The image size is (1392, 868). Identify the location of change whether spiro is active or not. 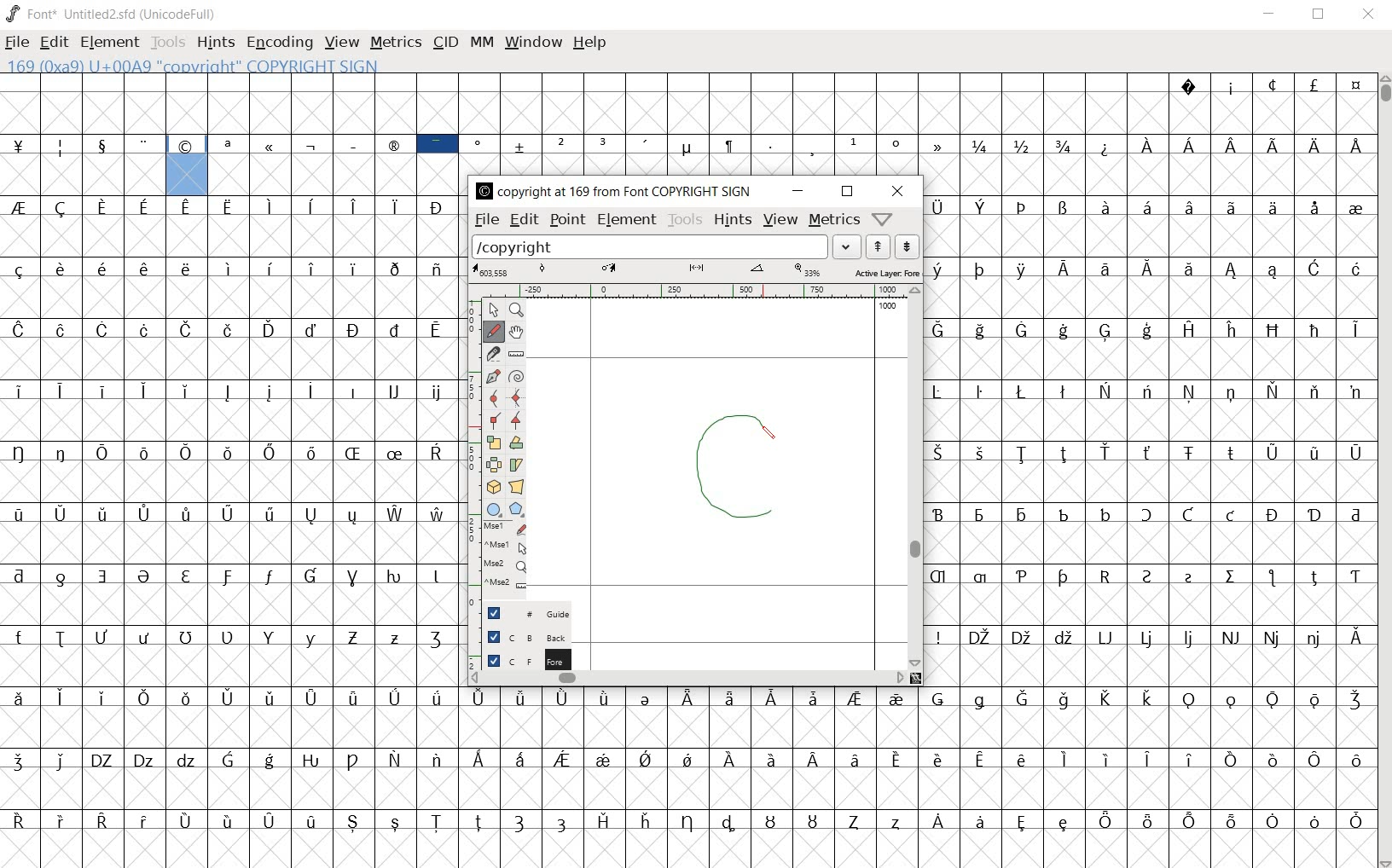
(517, 376).